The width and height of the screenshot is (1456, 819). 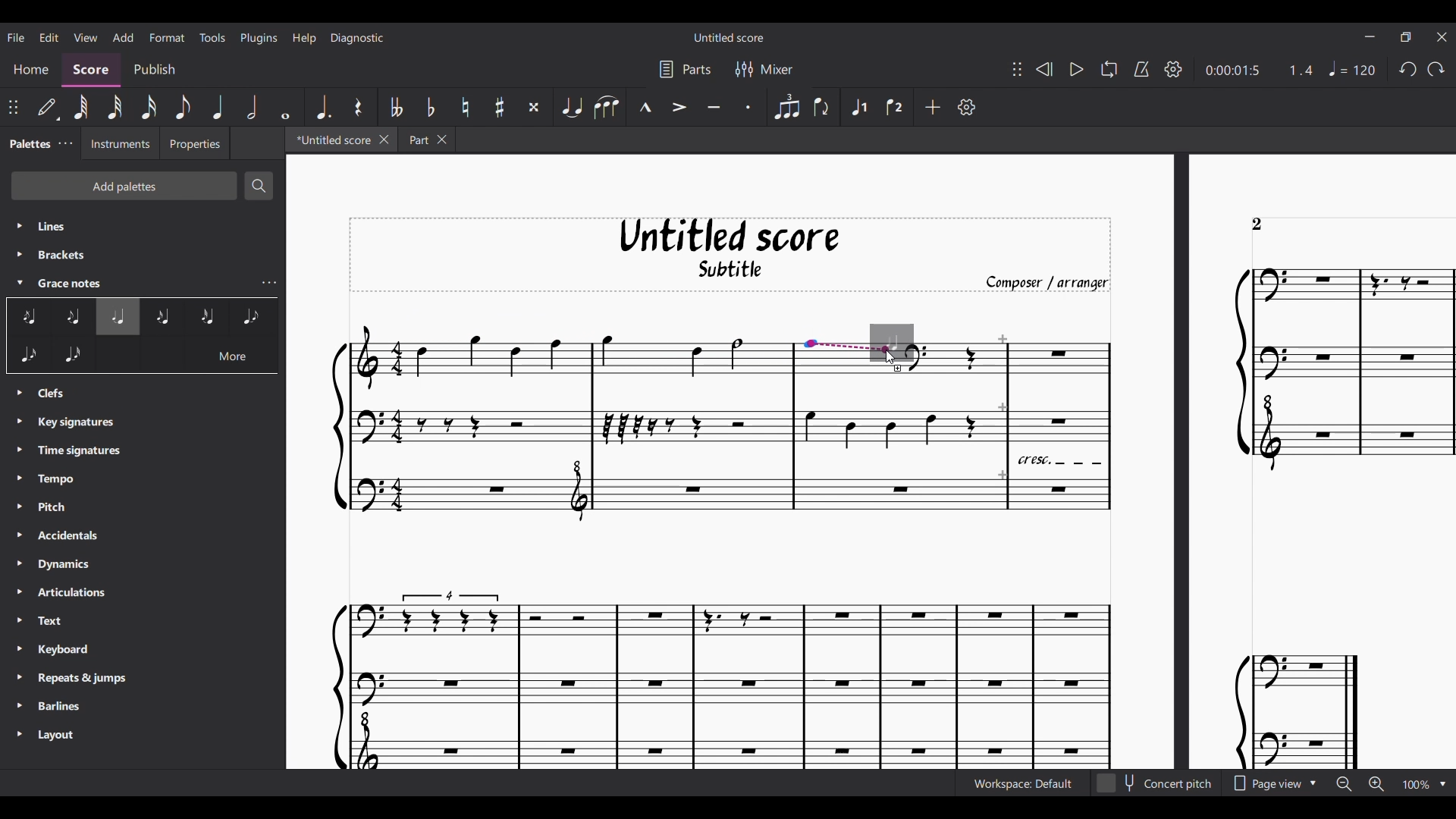 What do you see at coordinates (124, 37) in the screenshot?
I see `Add menu` at bounding box center [124, 37].